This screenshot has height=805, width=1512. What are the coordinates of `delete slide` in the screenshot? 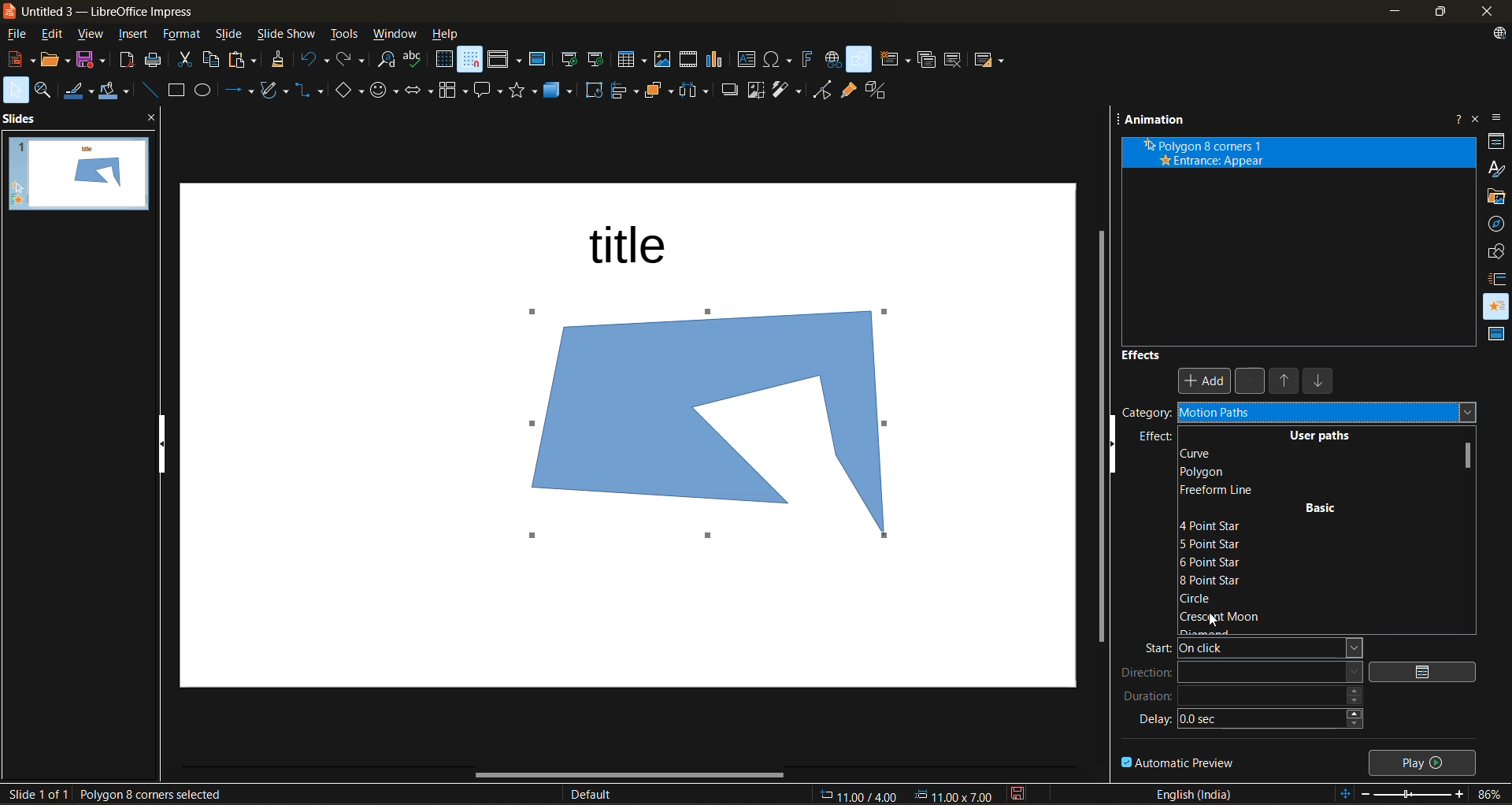 It's located at (954, 63).